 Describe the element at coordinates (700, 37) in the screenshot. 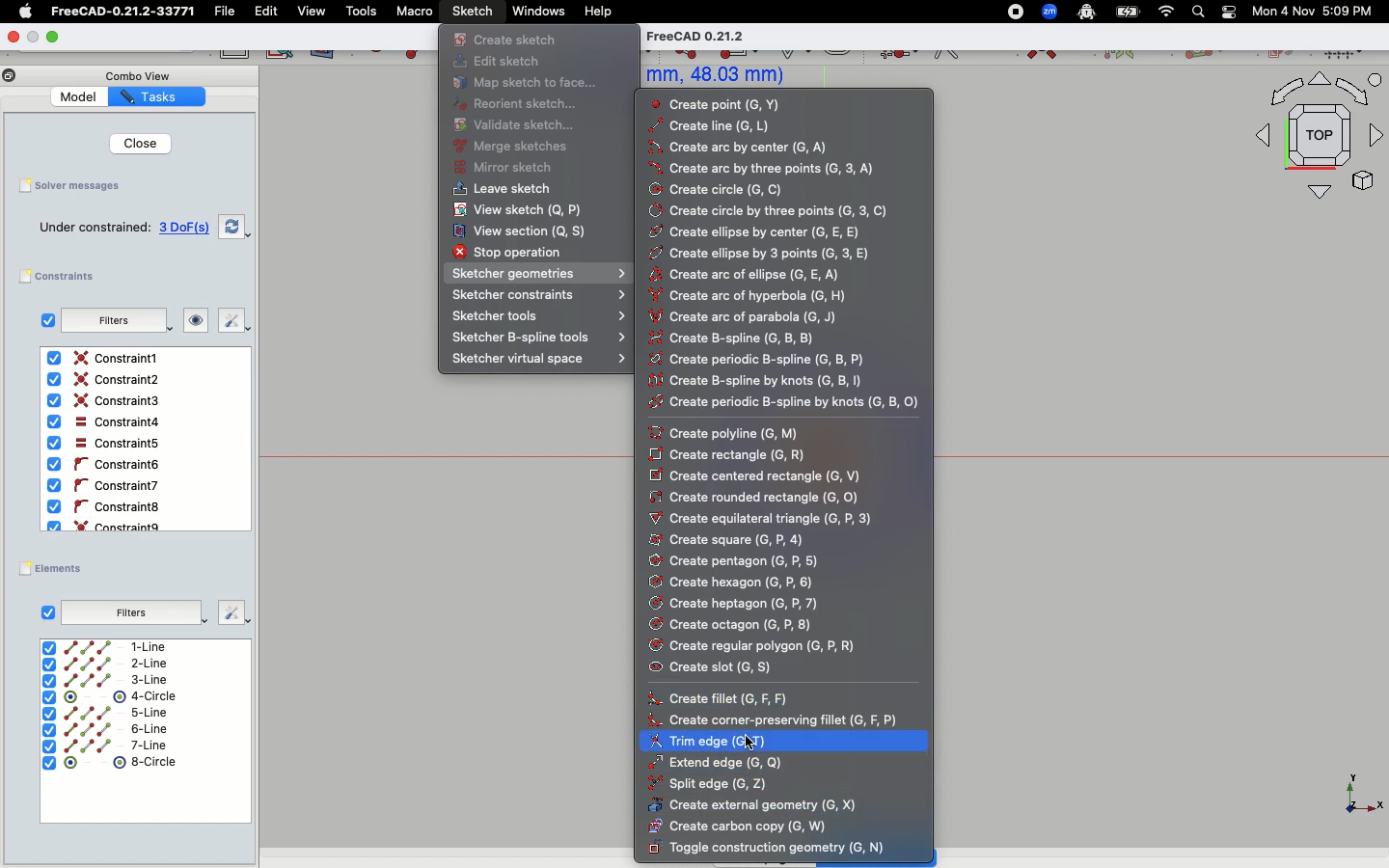

I see `FreeCAD 0.21.2` at that location.